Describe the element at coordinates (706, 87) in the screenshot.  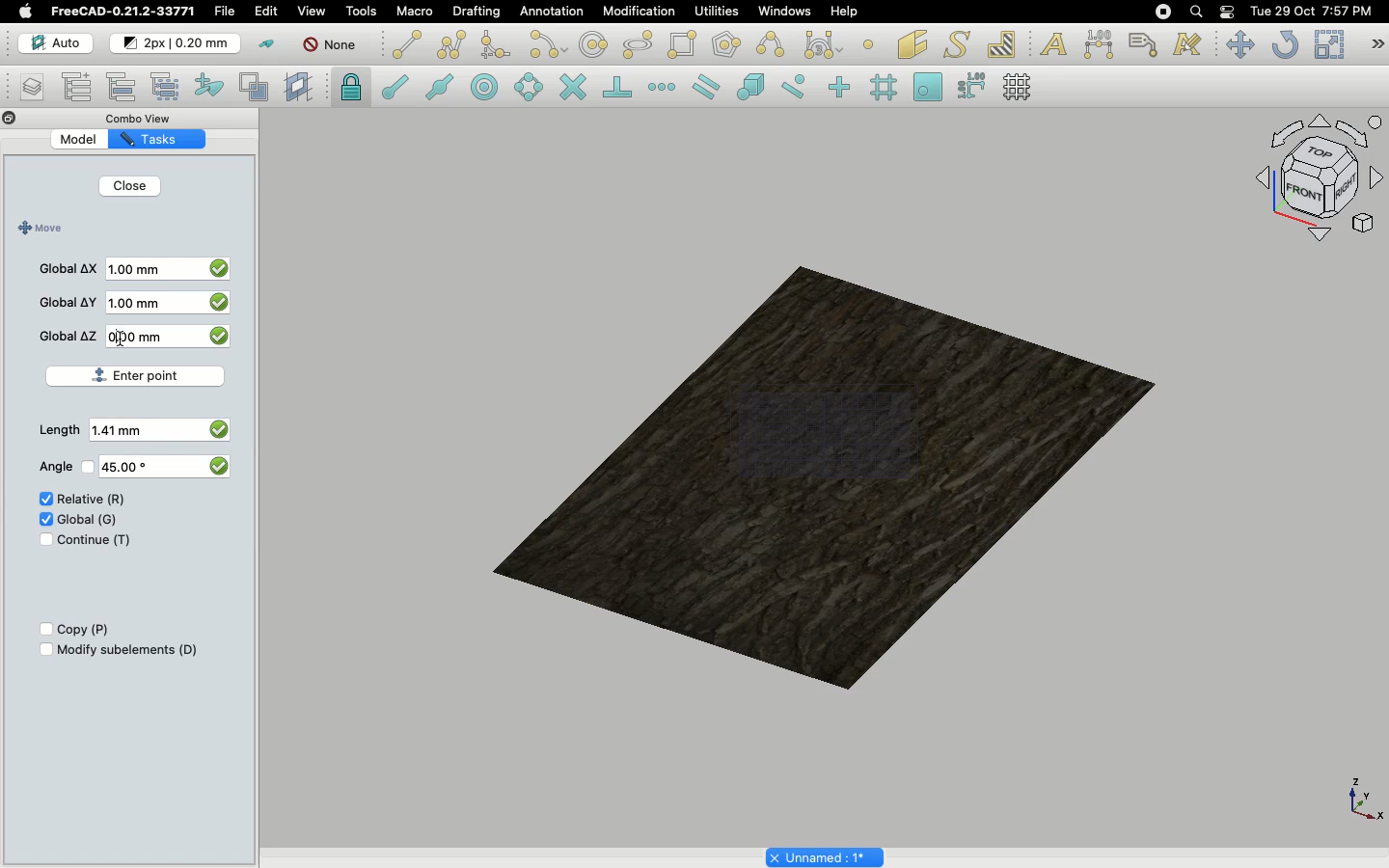
I see `Snap parallel` at that location.